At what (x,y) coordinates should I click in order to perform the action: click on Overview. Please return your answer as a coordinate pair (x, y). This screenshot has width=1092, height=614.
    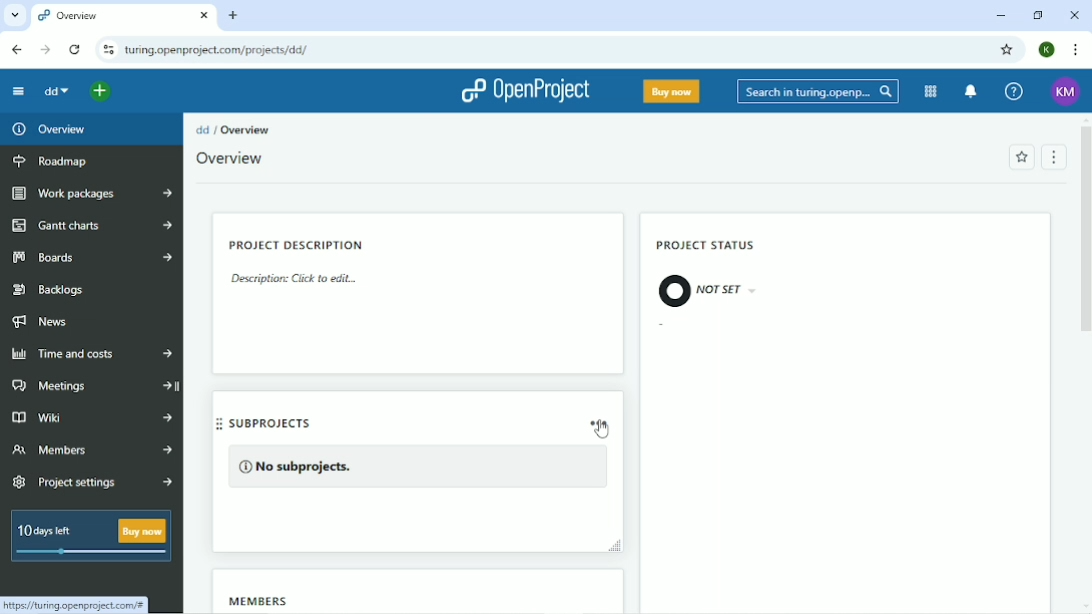
    Looking at the image, I should click on (249, 130).